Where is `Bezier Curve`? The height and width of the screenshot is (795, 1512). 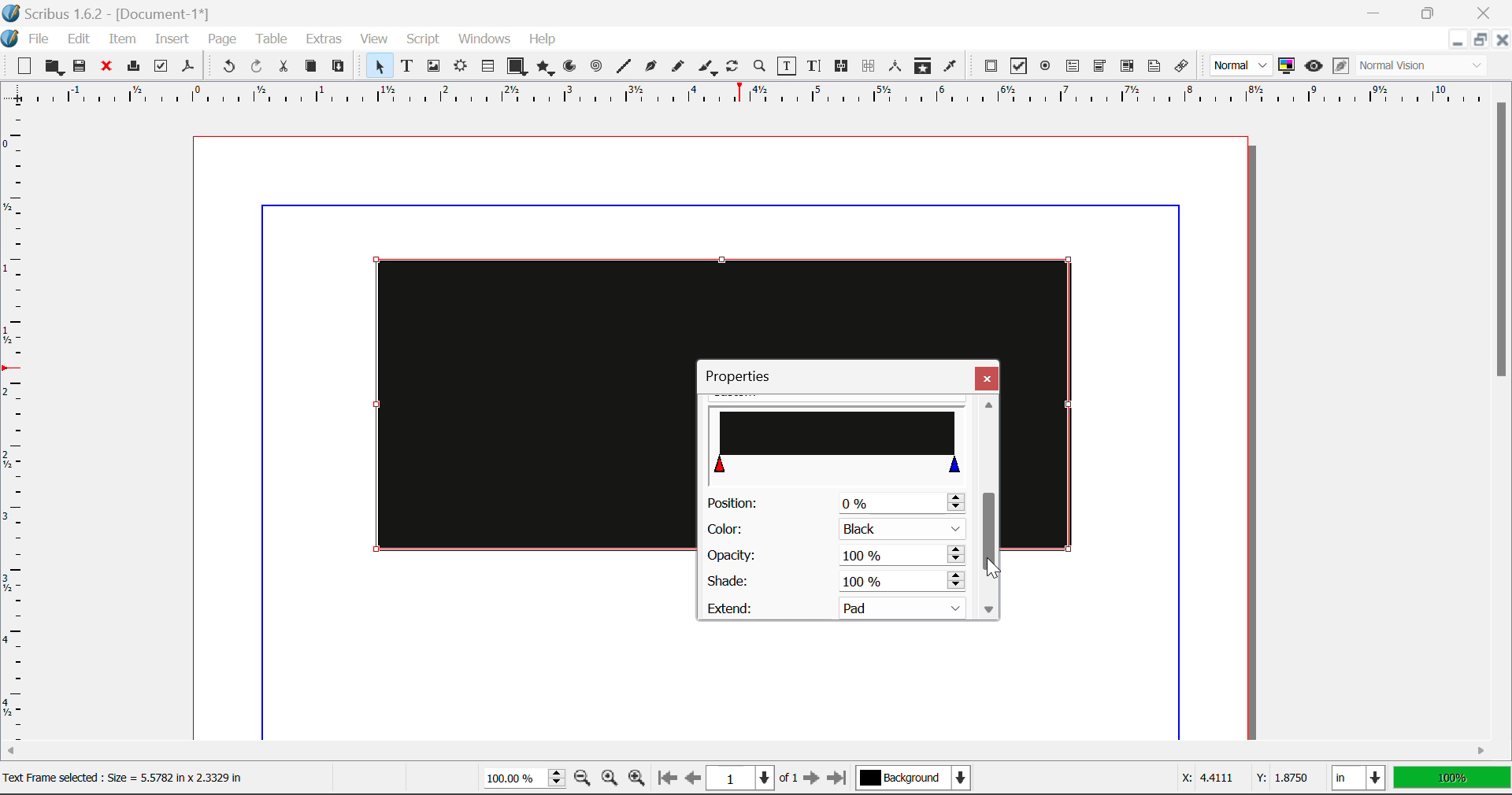 Bezier Curve is located at coordinates (651, 68).